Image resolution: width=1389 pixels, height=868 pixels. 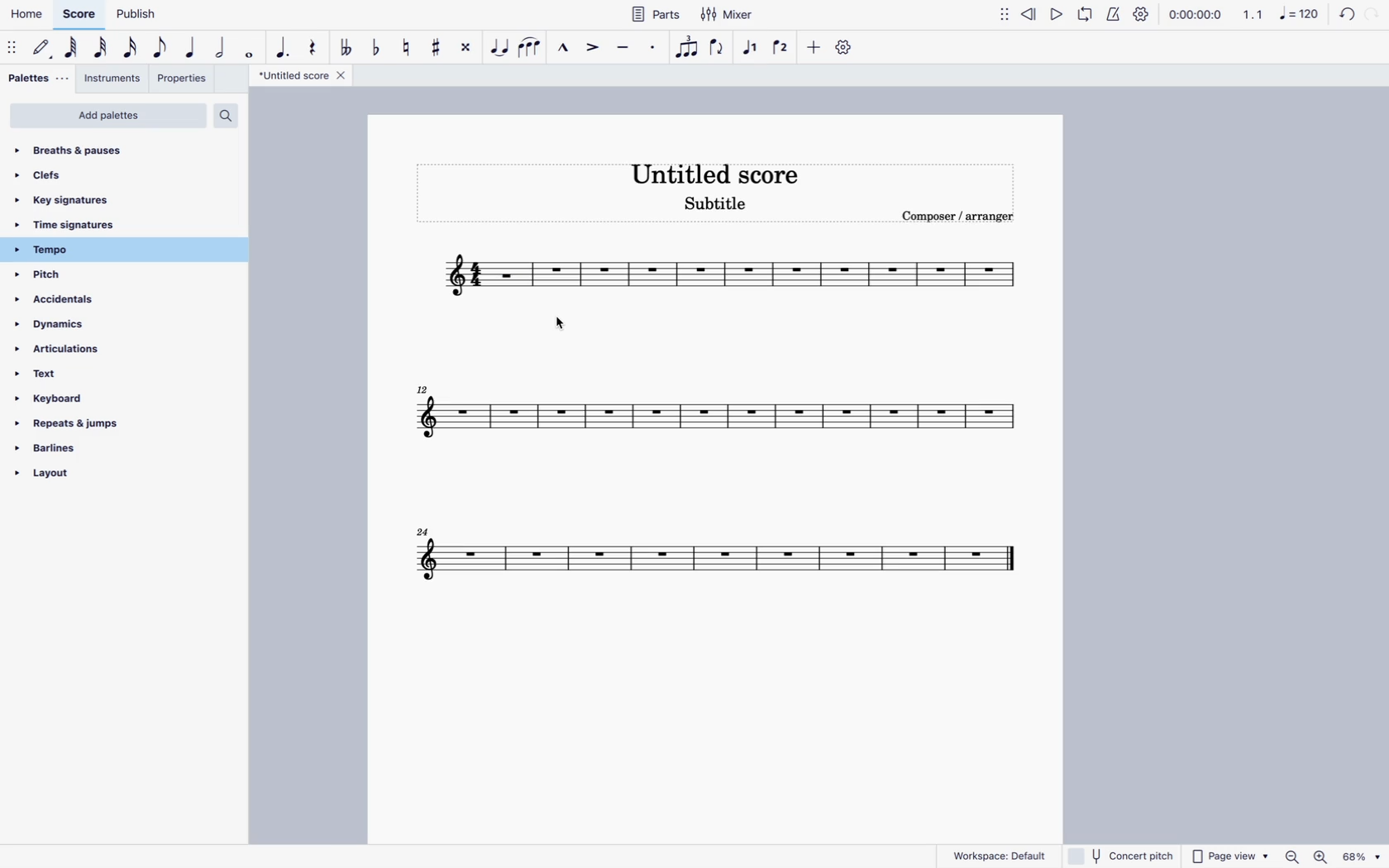 I want to click on voice 1, so click(x=753, y=47).